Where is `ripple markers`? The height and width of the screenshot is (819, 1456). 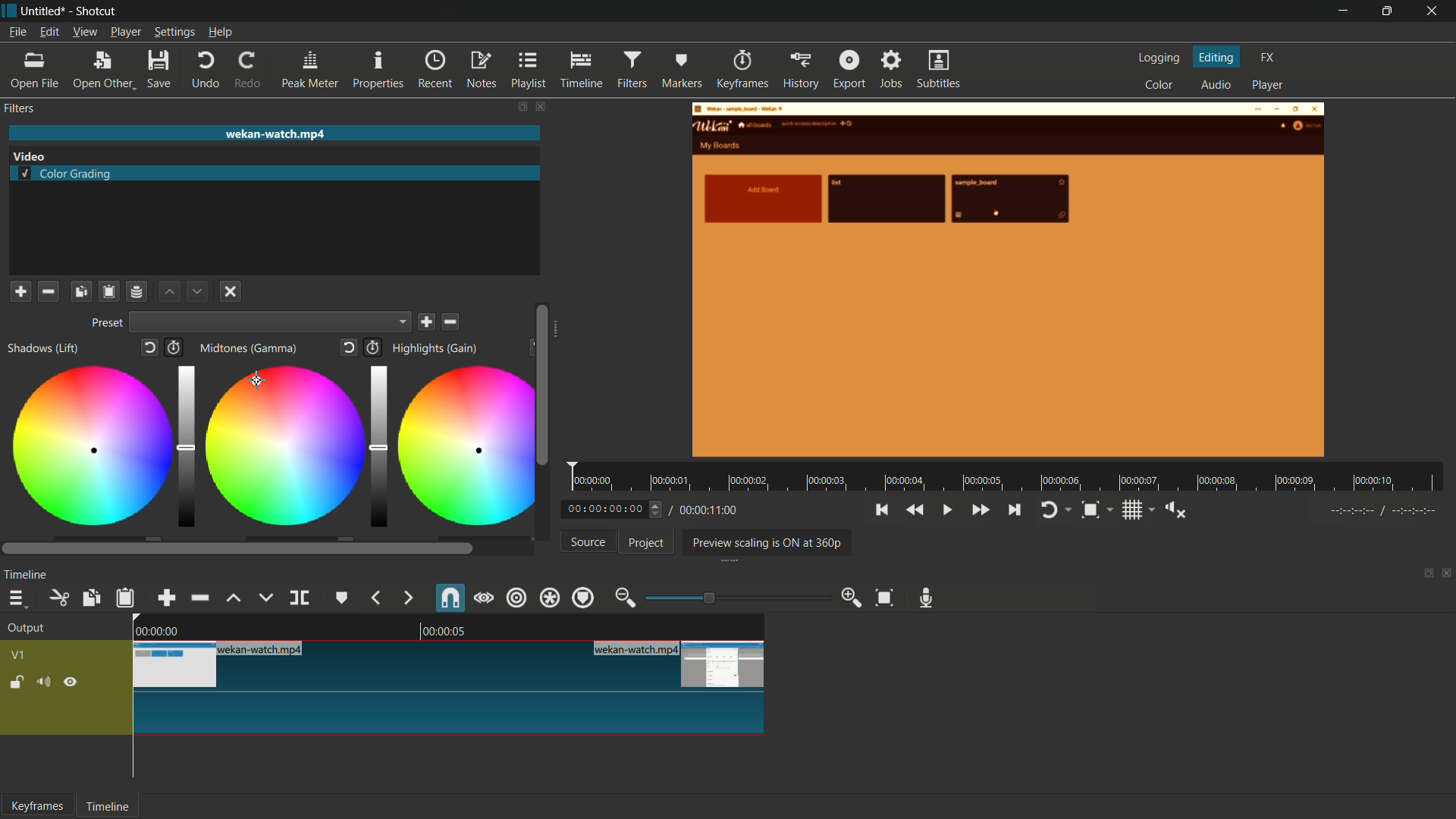
ripple markers is located at coordinates (584, 598).